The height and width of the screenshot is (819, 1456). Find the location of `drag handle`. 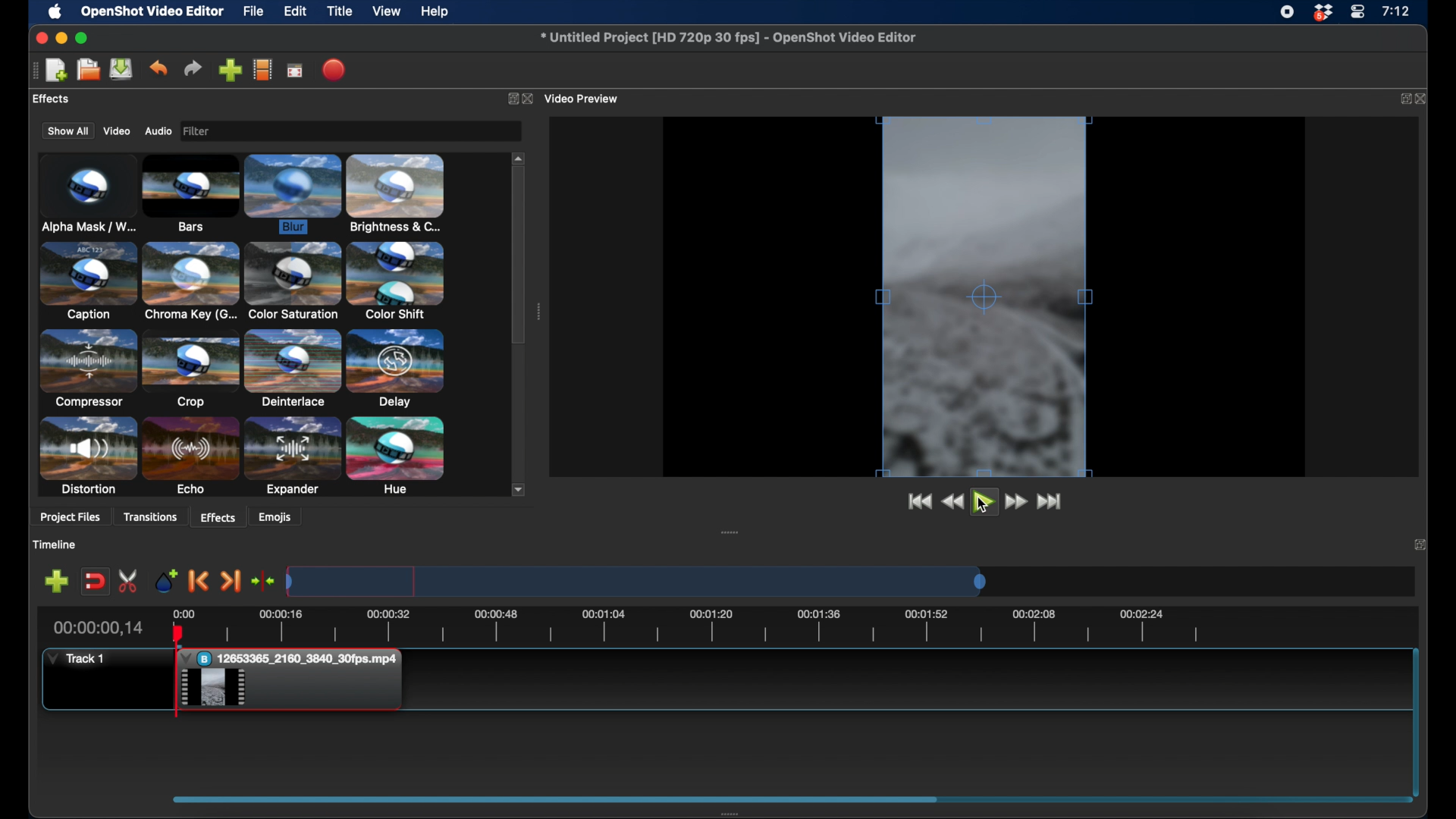

drag handle is located at coordinates (733, 813).